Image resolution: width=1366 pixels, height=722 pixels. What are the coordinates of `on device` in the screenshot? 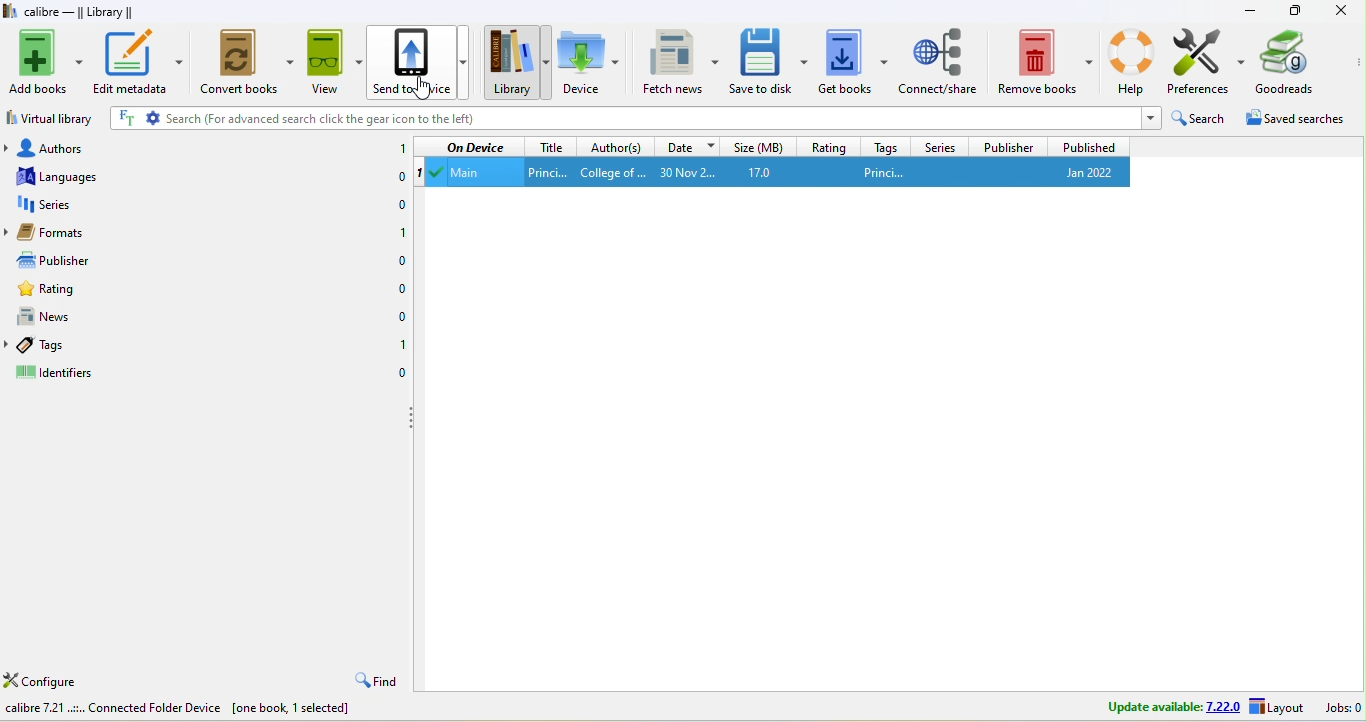 It's located at (472, 147).